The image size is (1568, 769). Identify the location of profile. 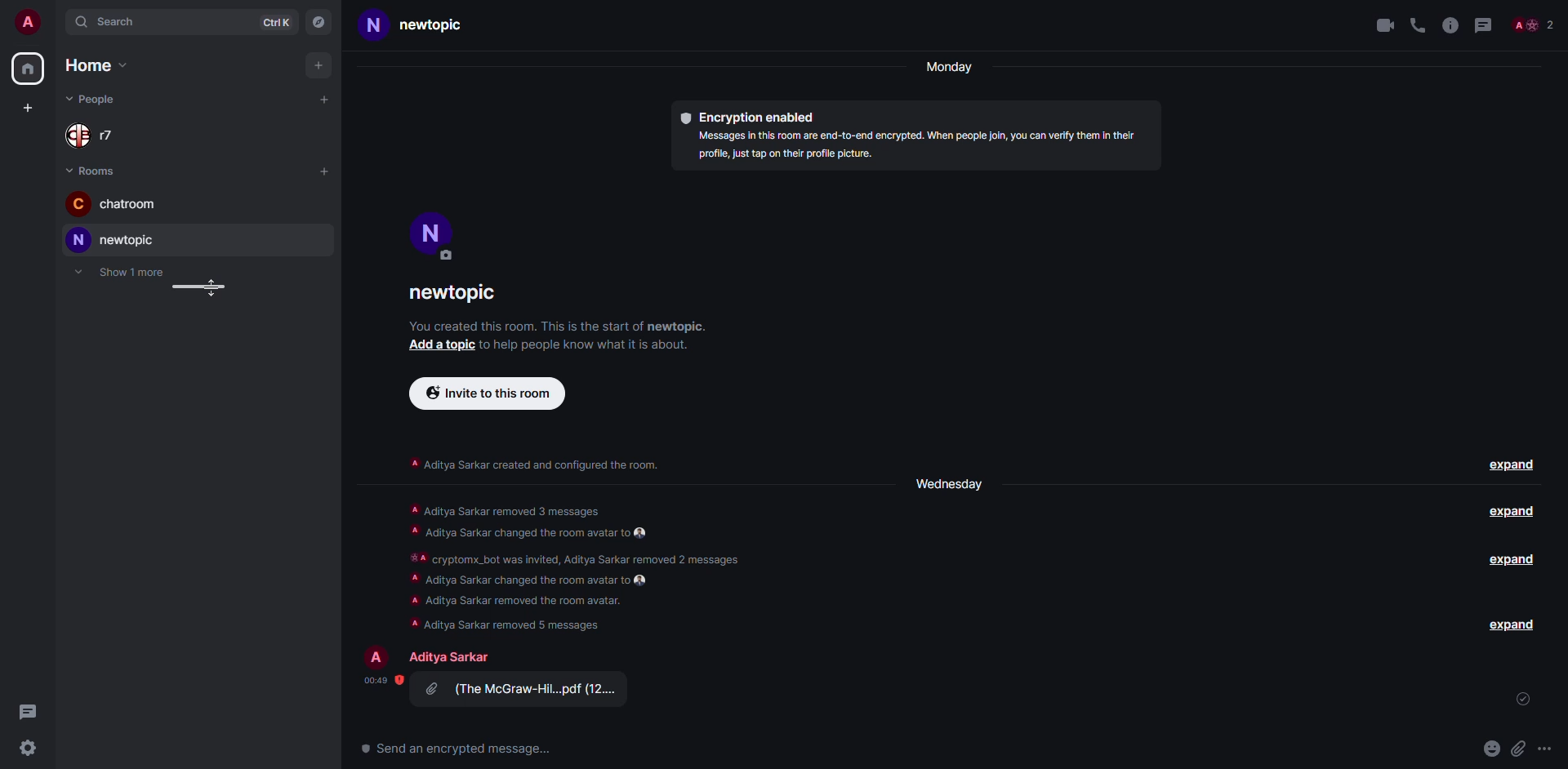
(25, 21).